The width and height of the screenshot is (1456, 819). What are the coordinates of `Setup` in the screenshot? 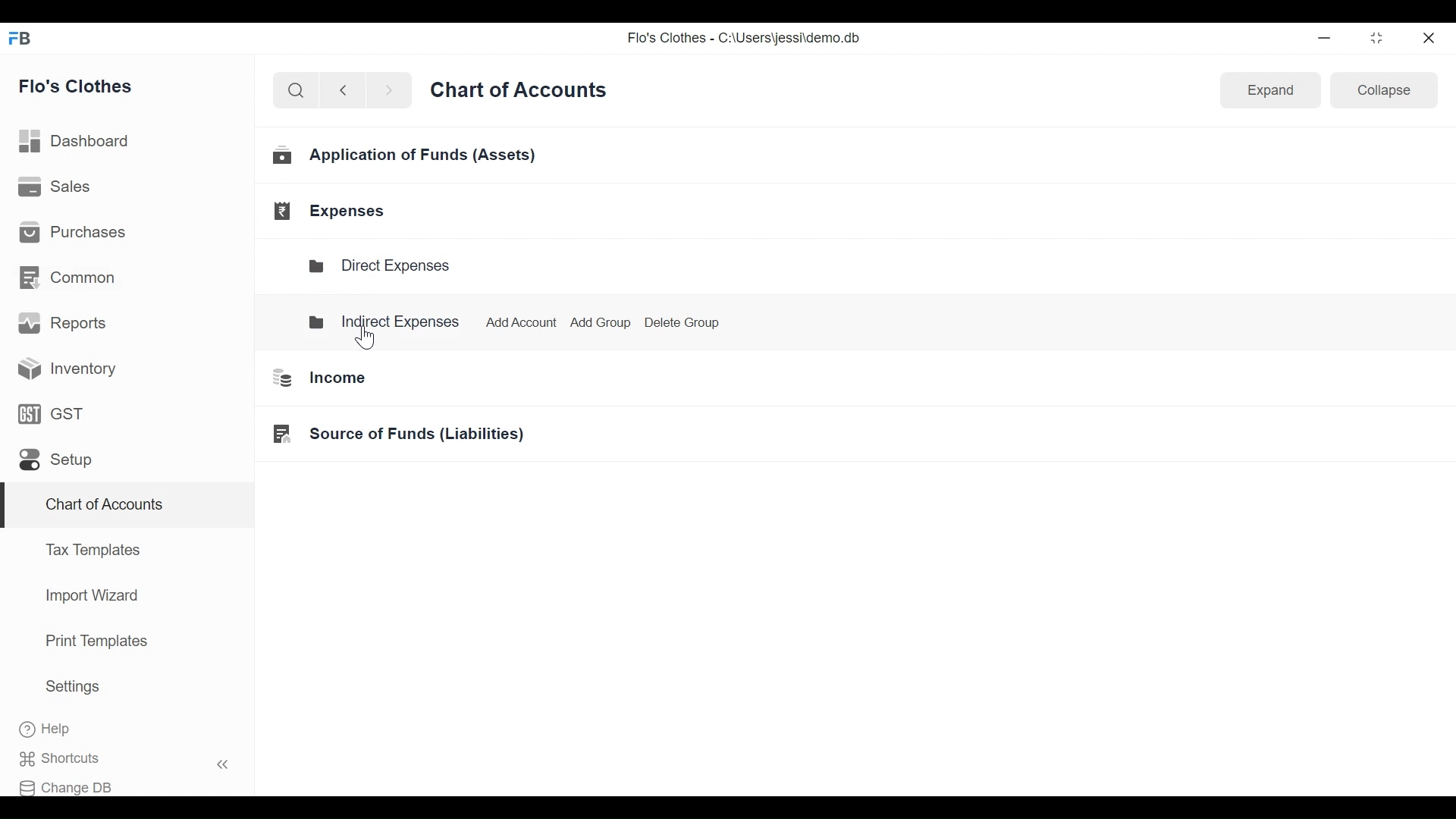 It's located at (55, 463).